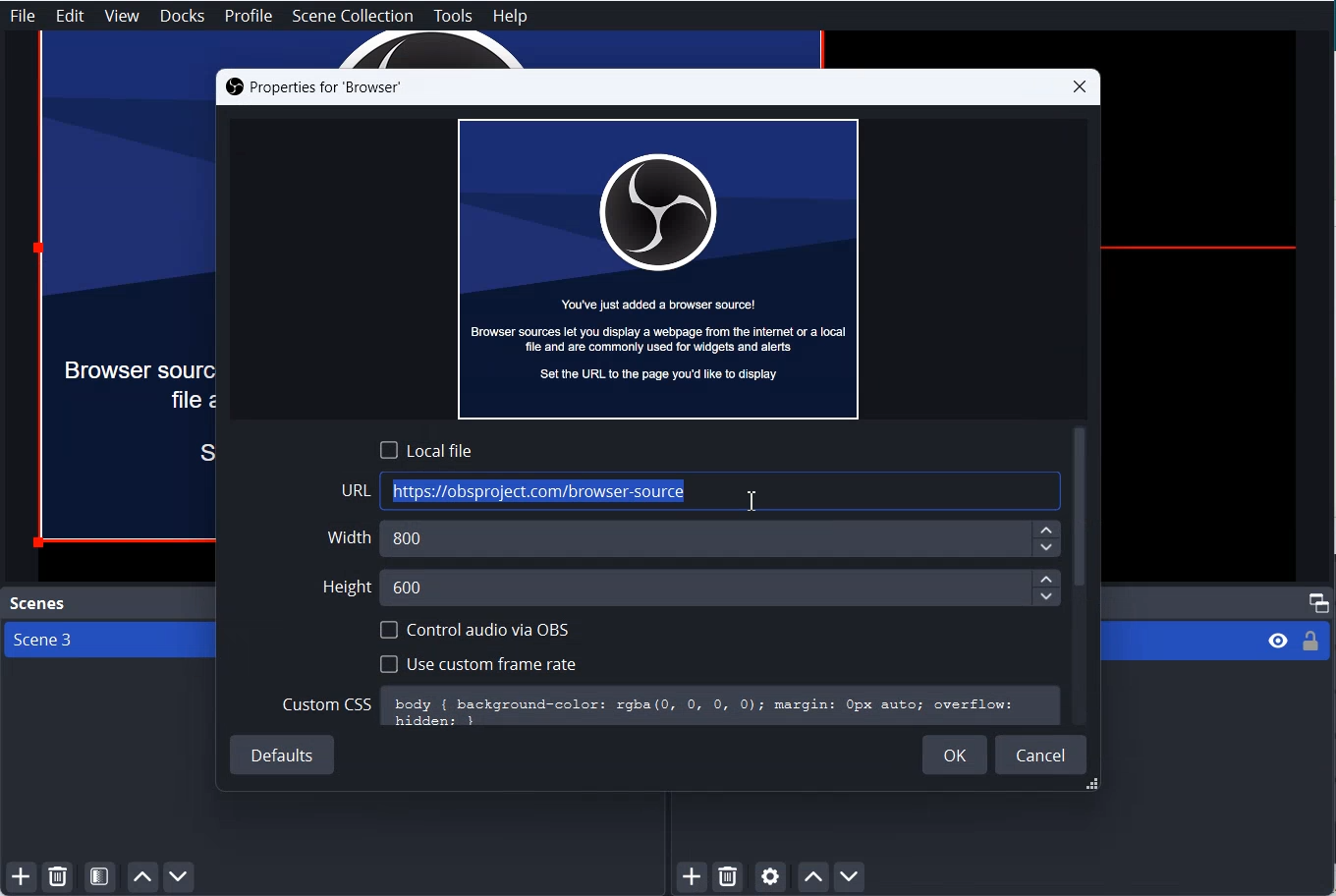 Image resolution: width=1336 pixels, height=896 pixels. What do you see at coordinates (510, 17) in the screenshot?
I see `Help` at bounding box center [510, 17].